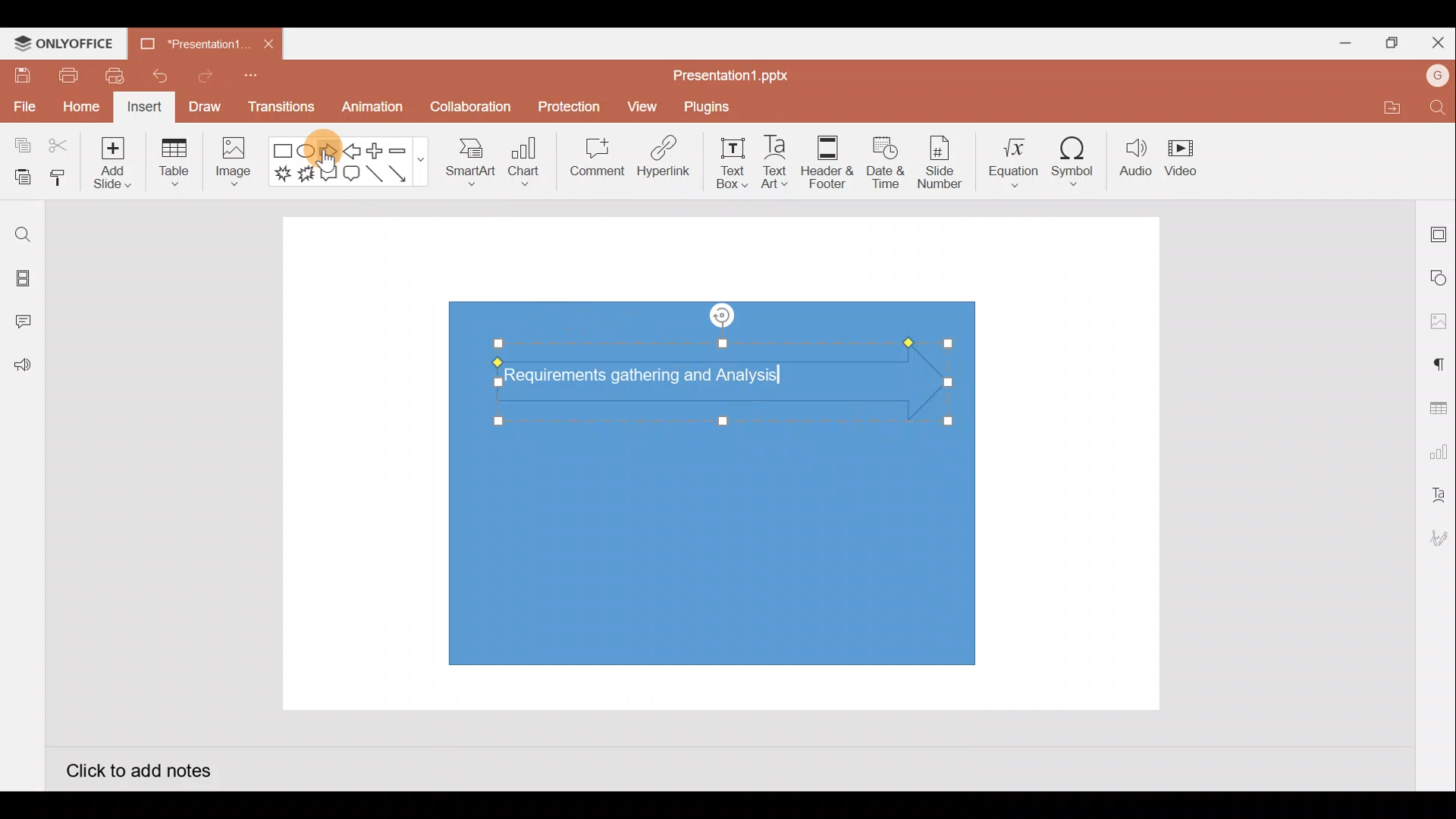 The image size is (1456, 819). I want to click on Find, so click(1439, 107).